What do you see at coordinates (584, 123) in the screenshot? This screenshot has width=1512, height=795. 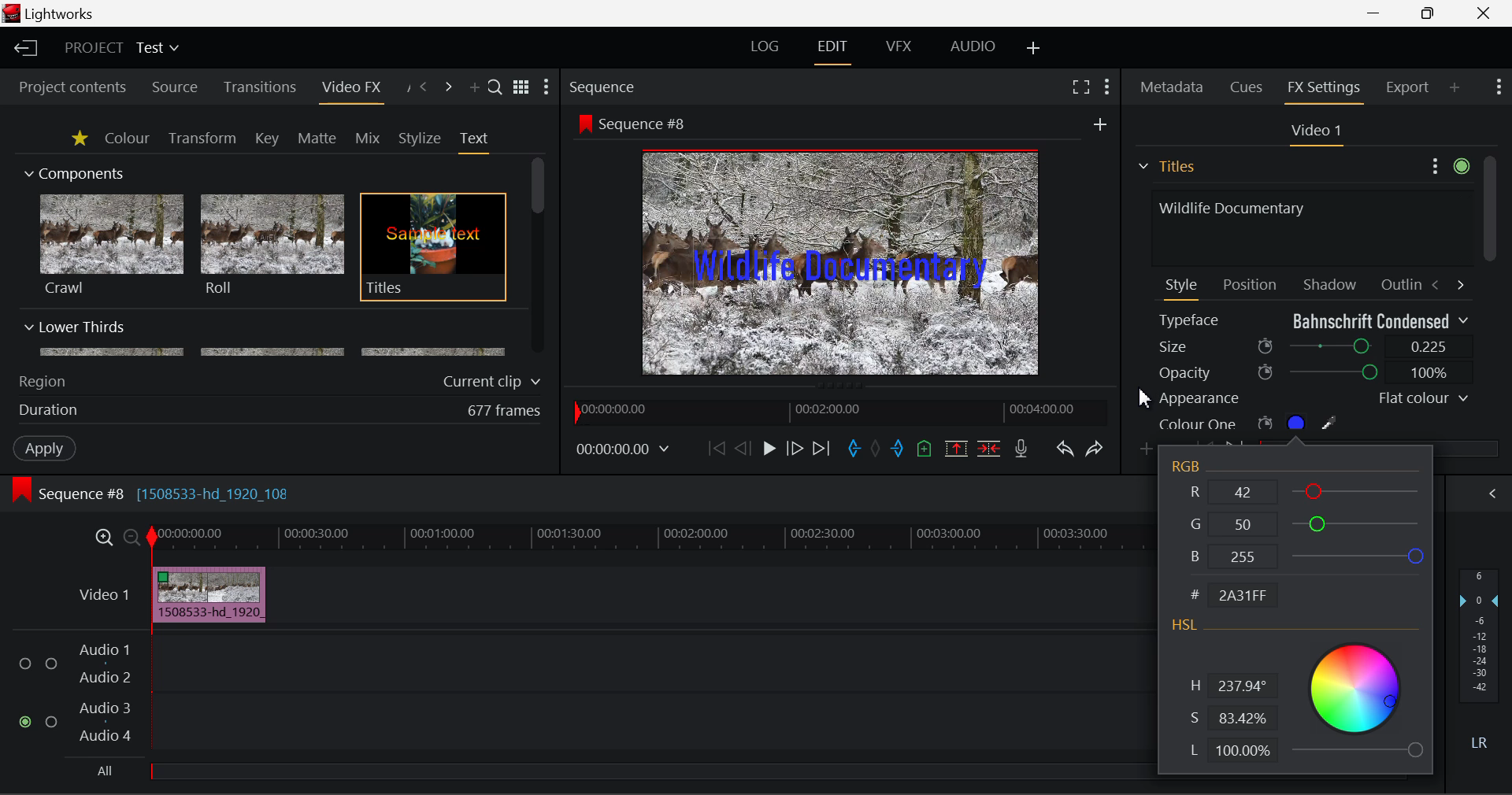 I see `icon` at bounding box center [584, 123].